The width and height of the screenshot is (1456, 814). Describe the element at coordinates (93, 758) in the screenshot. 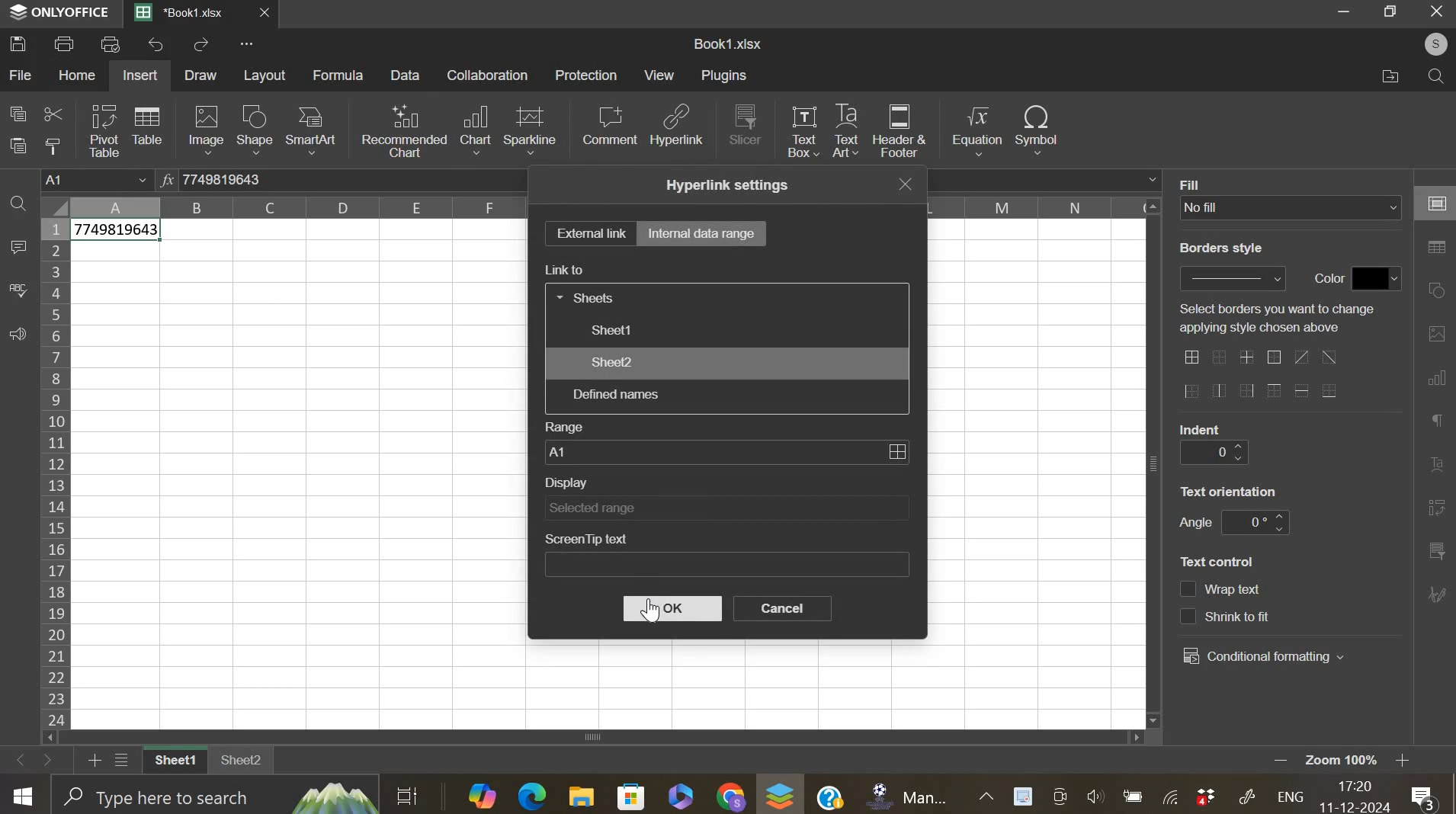

I see `add new sheet` at that location.